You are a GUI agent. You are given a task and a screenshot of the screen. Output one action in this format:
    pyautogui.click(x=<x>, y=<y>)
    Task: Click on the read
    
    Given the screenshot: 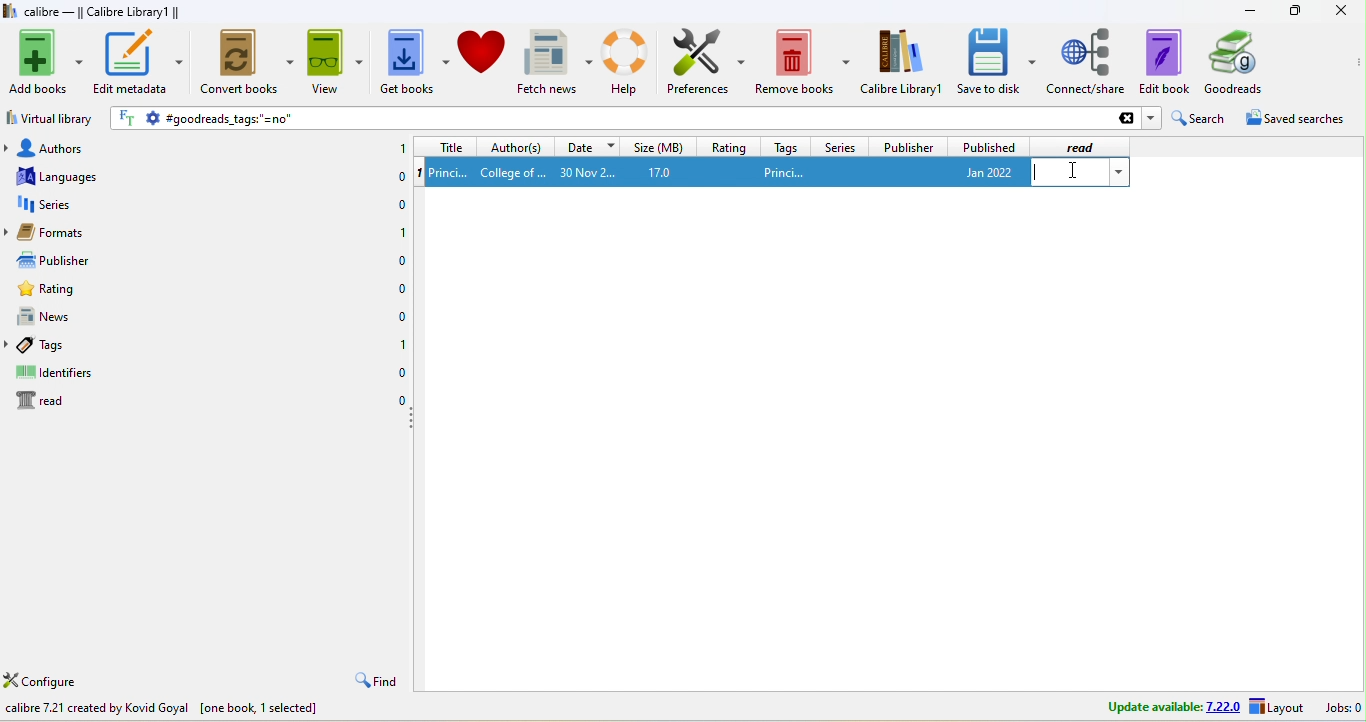 What is the action you would take?
    pyautogui.click(x=1086, y=146)
    